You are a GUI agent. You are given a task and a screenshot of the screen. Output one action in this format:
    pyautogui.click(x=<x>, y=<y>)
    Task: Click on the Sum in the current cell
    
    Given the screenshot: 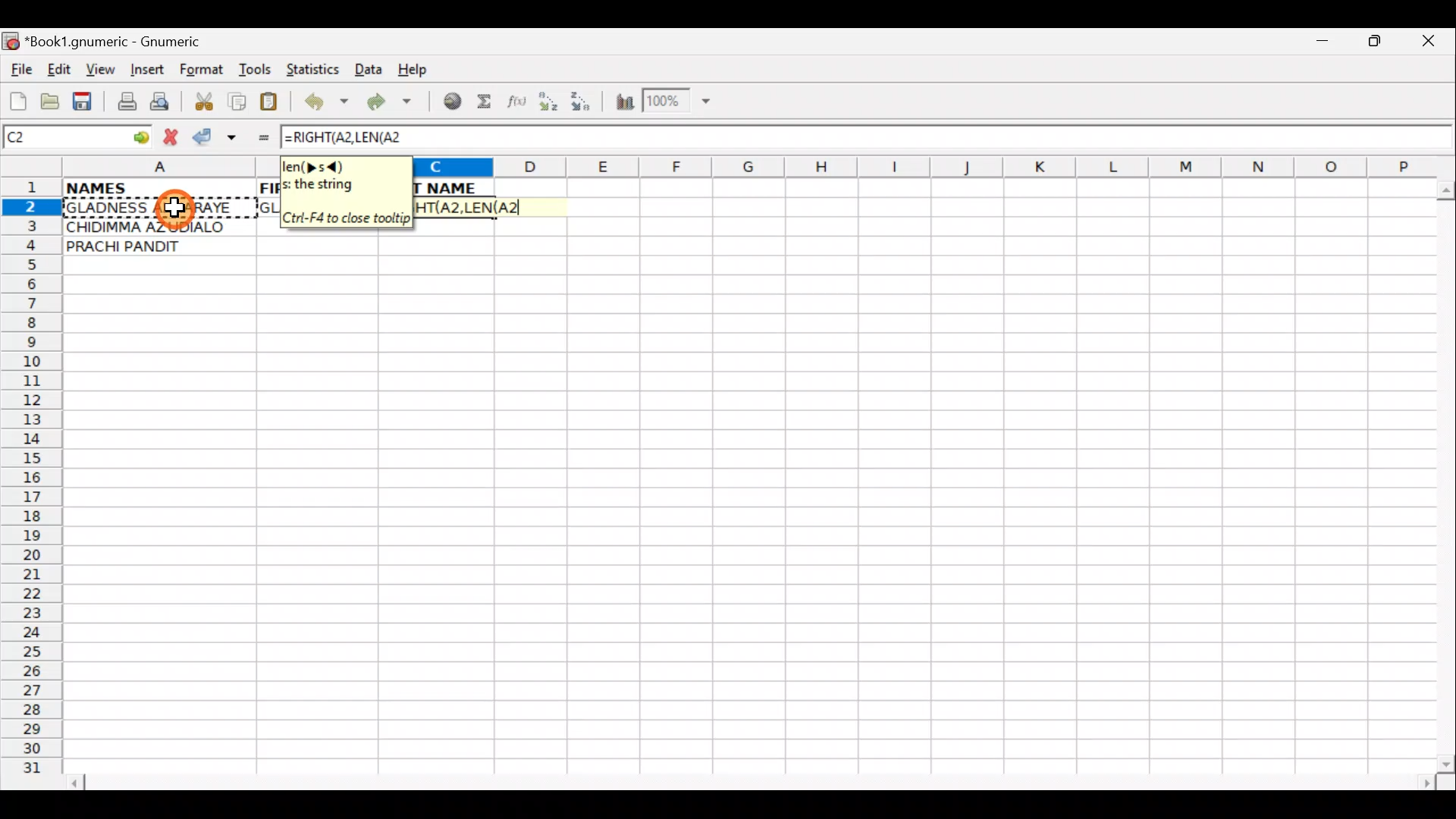 What is the action you would take?
    pyautogui.click(x=489, y=102)
    